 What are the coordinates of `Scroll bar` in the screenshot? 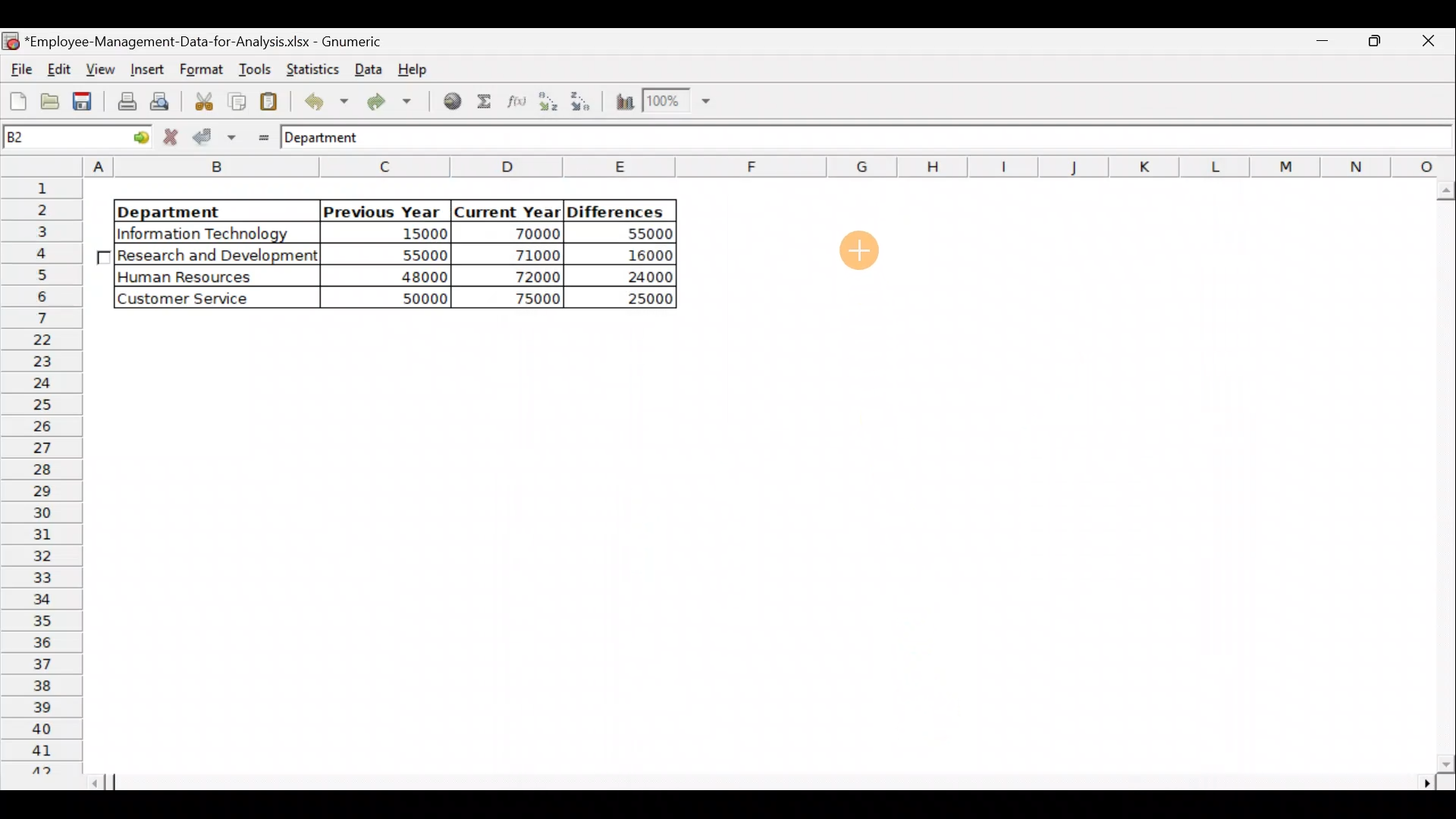 It's located at (1442, 477).